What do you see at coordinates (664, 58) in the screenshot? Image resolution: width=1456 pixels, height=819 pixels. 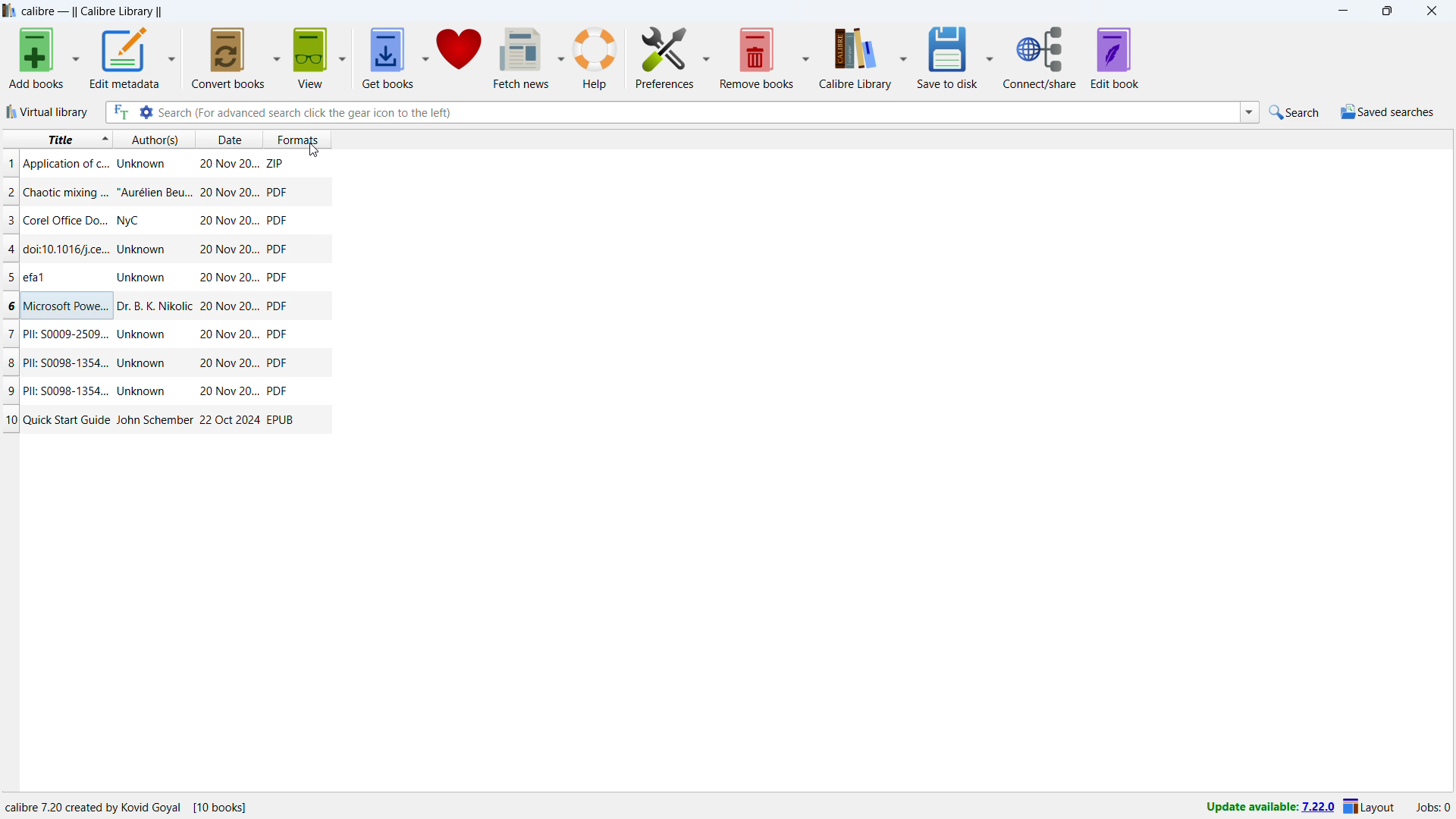 I see `preferences` at bounding box center [664, 58].